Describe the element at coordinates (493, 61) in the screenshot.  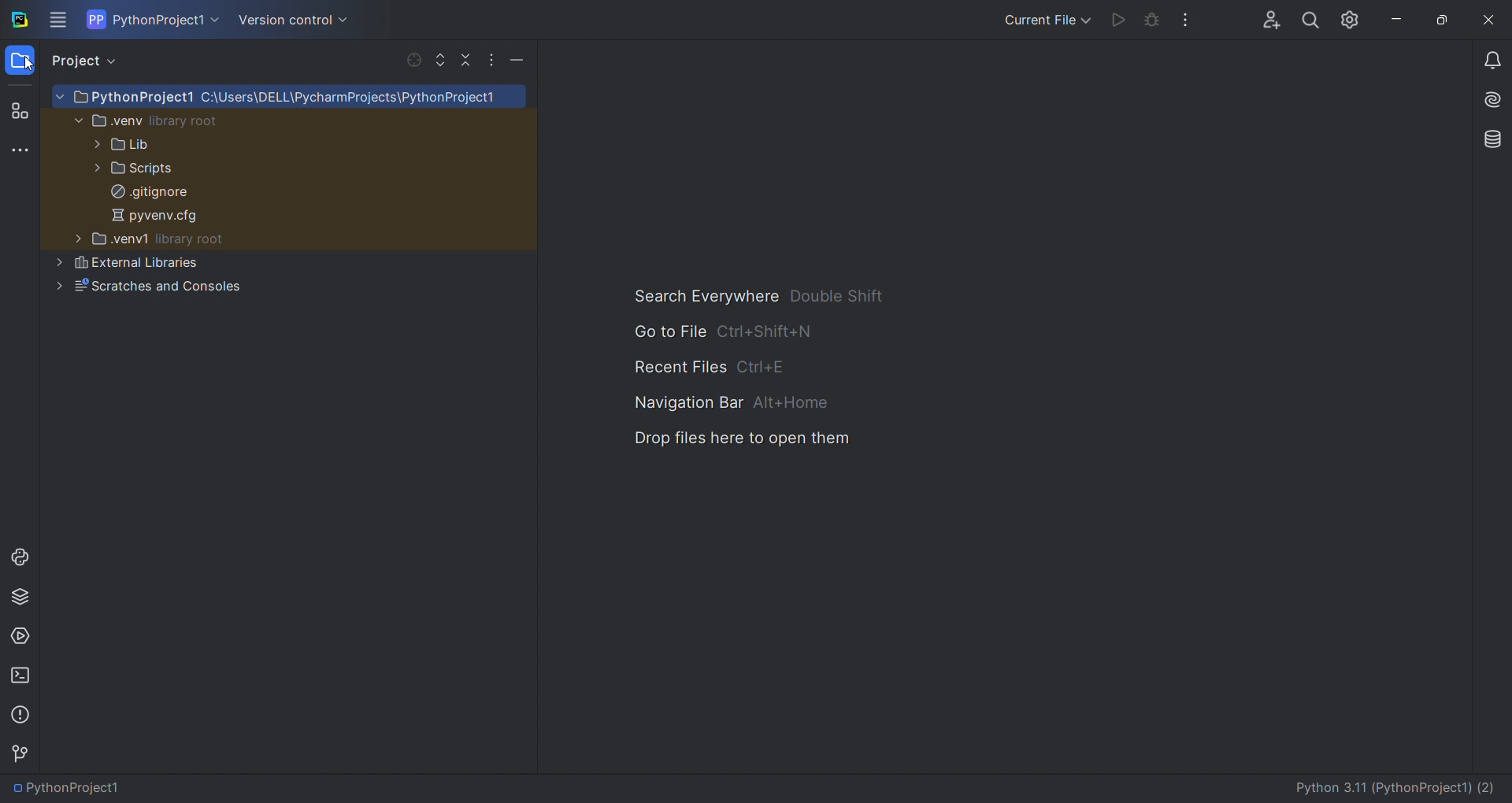
I see `options` at that location.